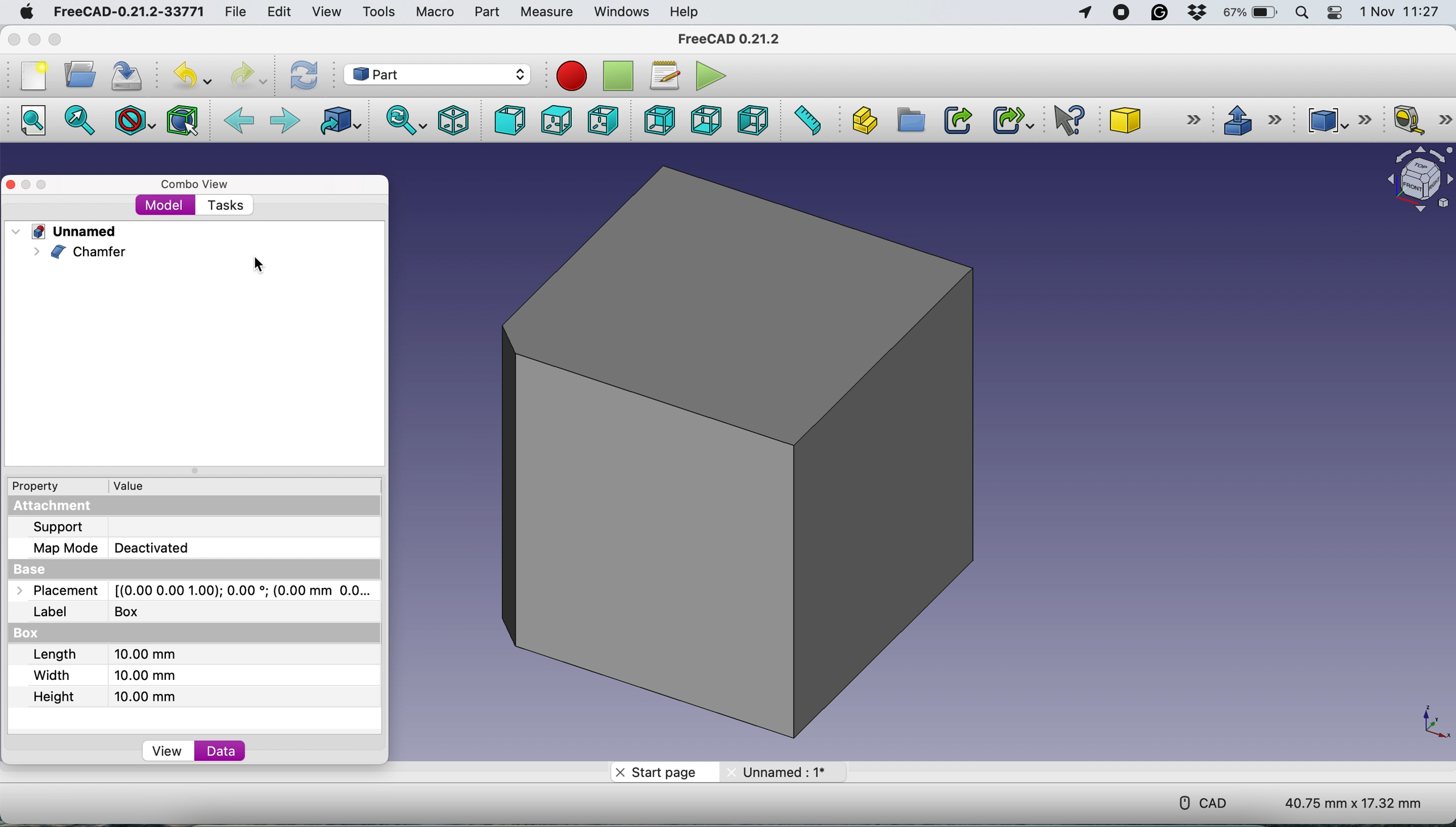  What do you see at coordinates (51, 507) in the screenshot?
I see `attachement` at bounding box center [51, 507].